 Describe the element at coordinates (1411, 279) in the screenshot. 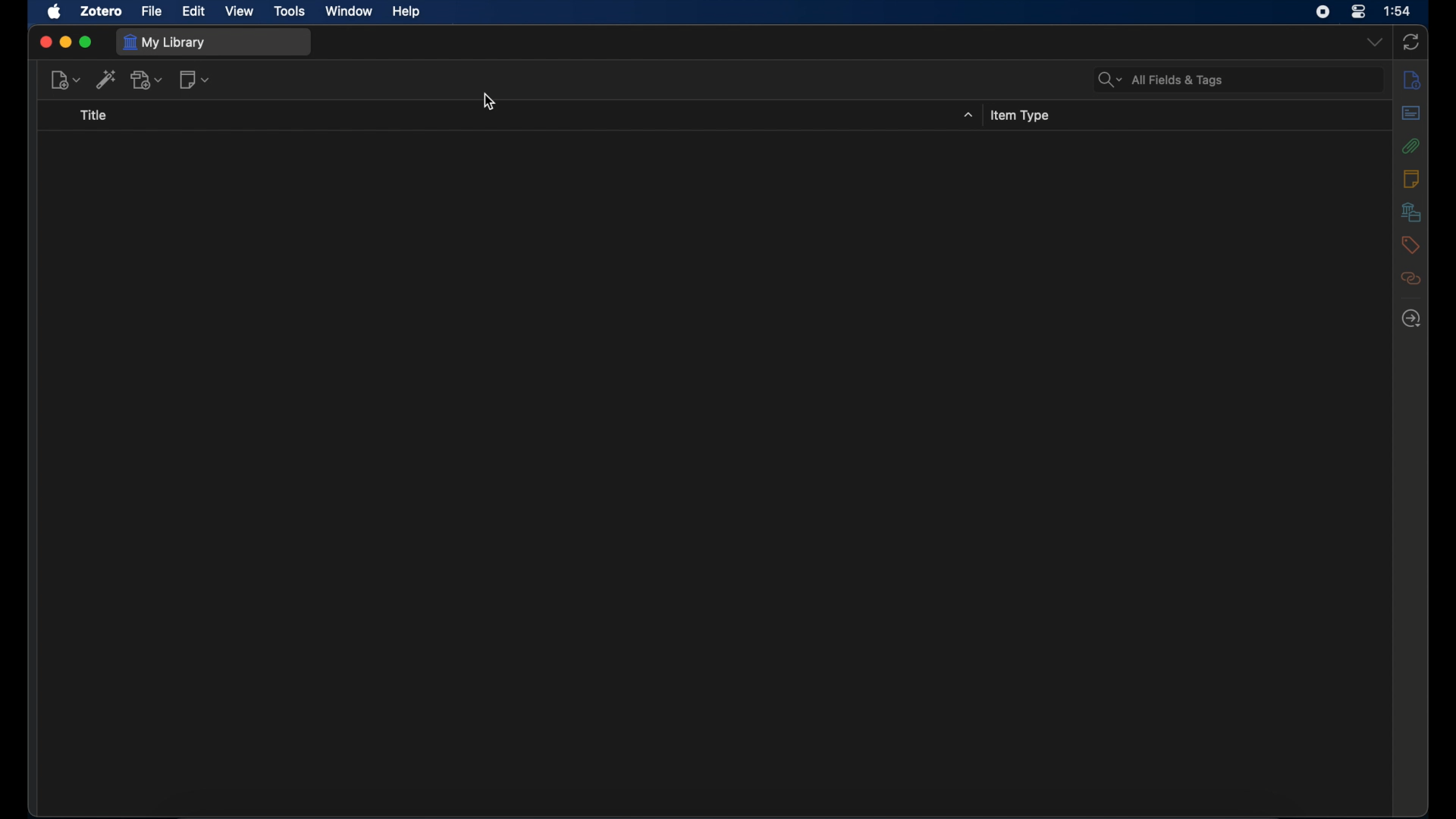

I see `related` at that location.